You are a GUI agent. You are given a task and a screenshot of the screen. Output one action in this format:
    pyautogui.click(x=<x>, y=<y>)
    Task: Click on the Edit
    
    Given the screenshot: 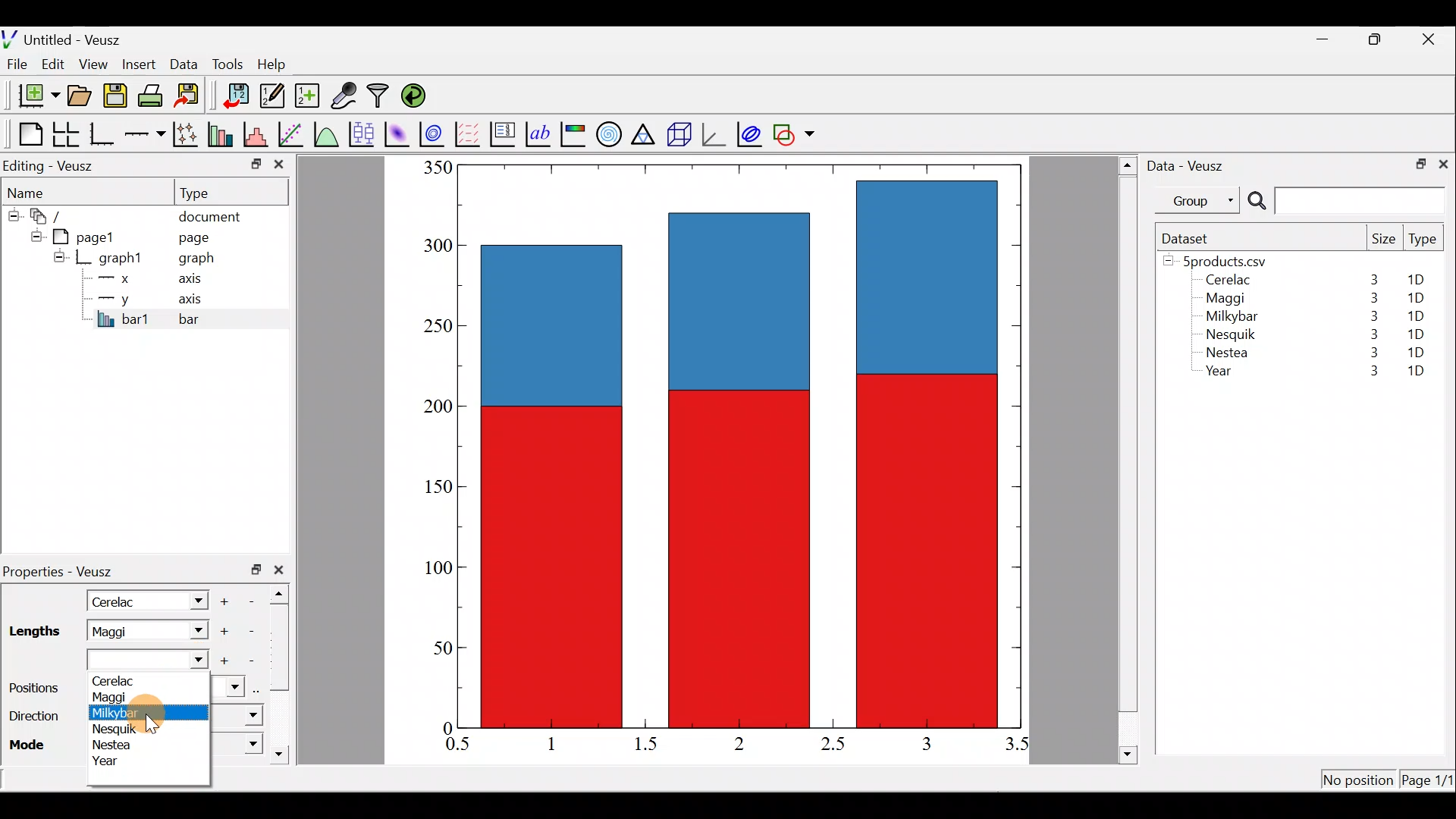 What is the action you would take?
    pyautogui.click(x=53, y=63)
    